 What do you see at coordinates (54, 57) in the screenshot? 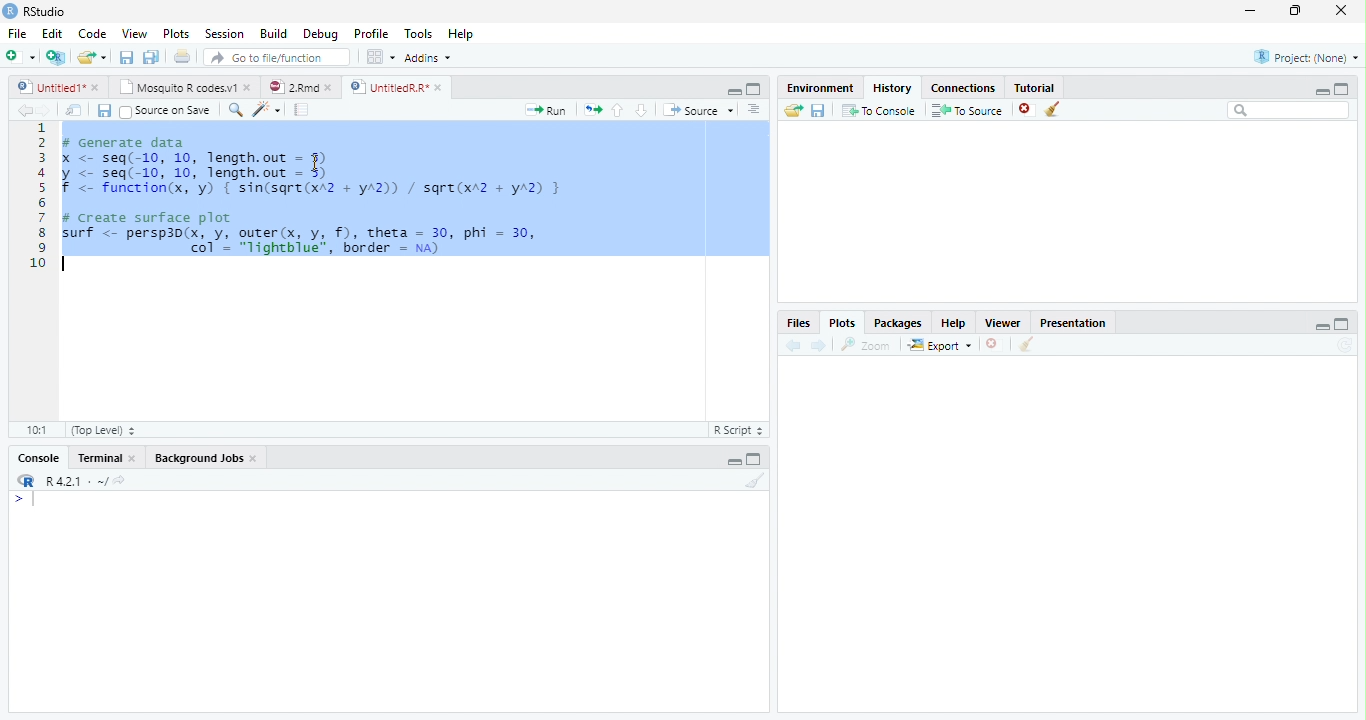
I see `Create a project` at bounding box center [54, 57].